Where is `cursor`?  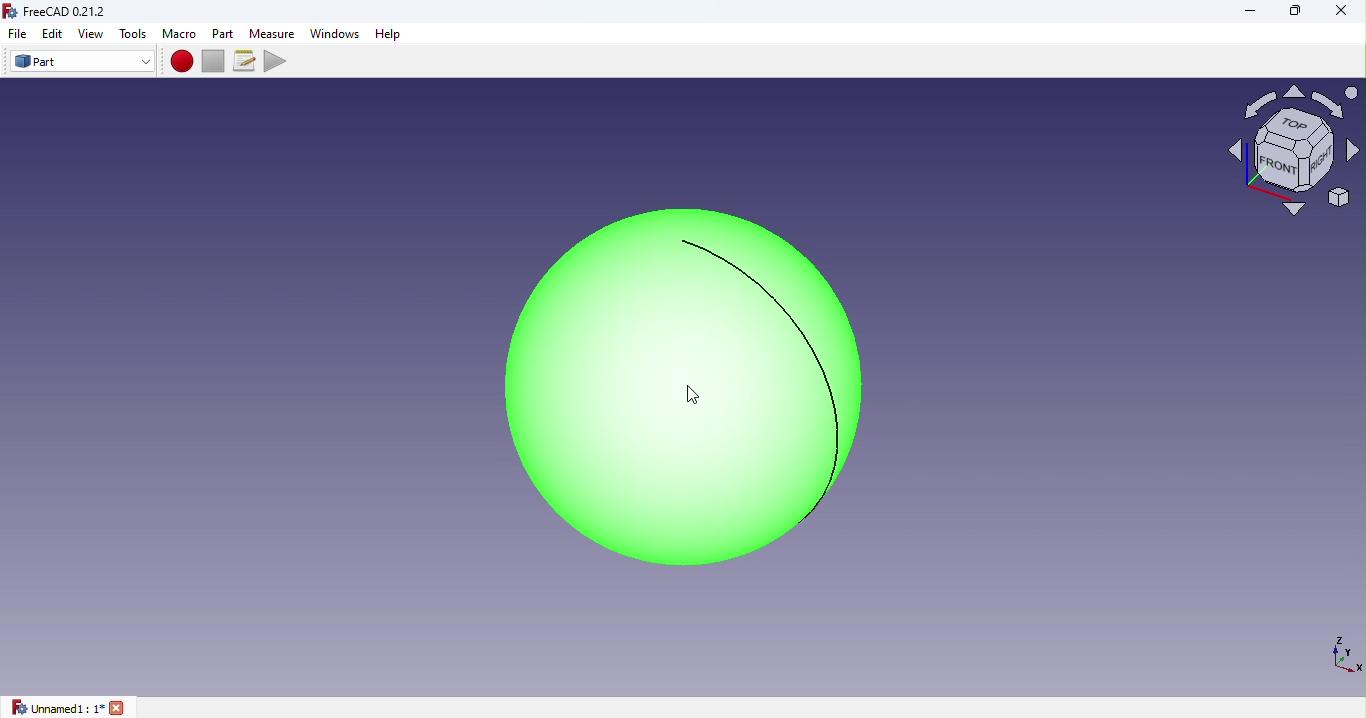 cursor is located at coordinates (693, 395).